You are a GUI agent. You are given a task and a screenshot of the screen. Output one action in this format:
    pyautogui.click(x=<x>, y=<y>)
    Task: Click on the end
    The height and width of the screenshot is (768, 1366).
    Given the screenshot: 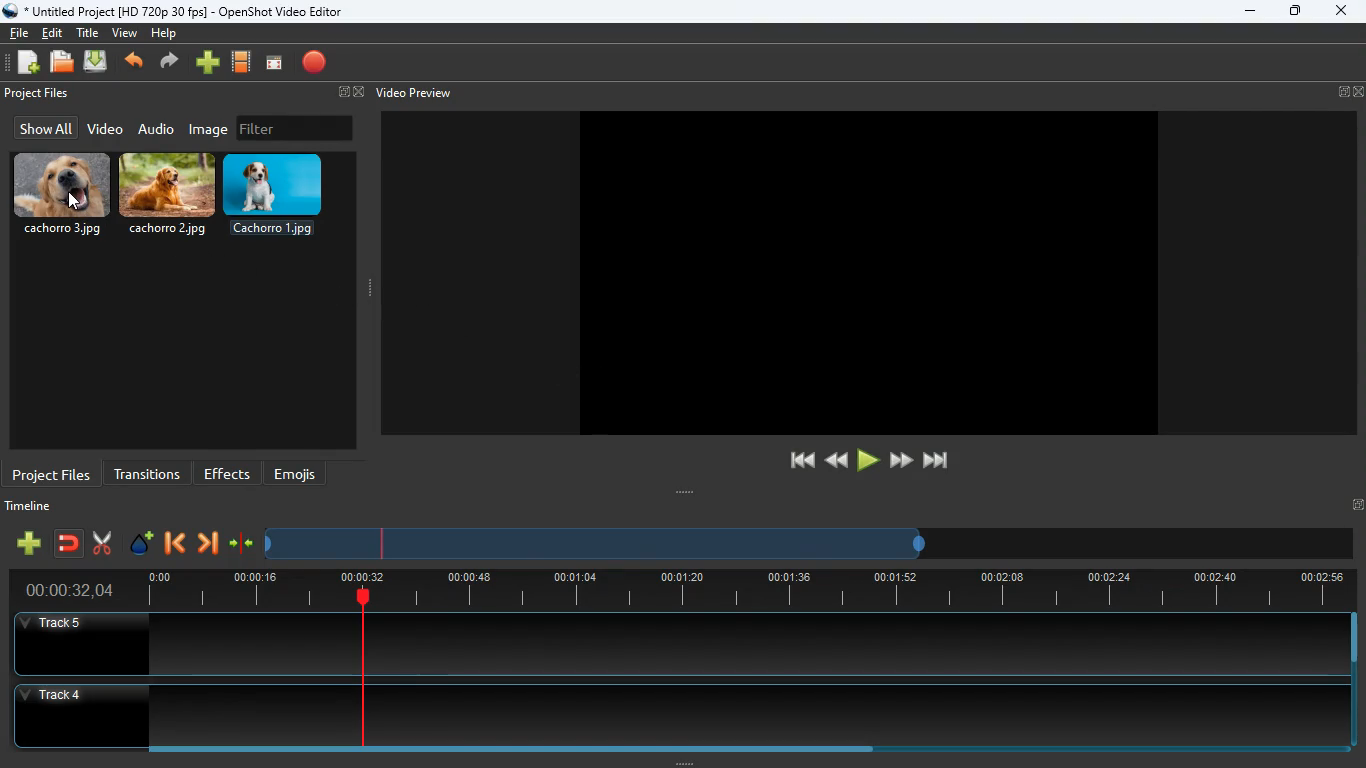 What is the action you would take?
    pyautogui.click(x=938, y=464)
    